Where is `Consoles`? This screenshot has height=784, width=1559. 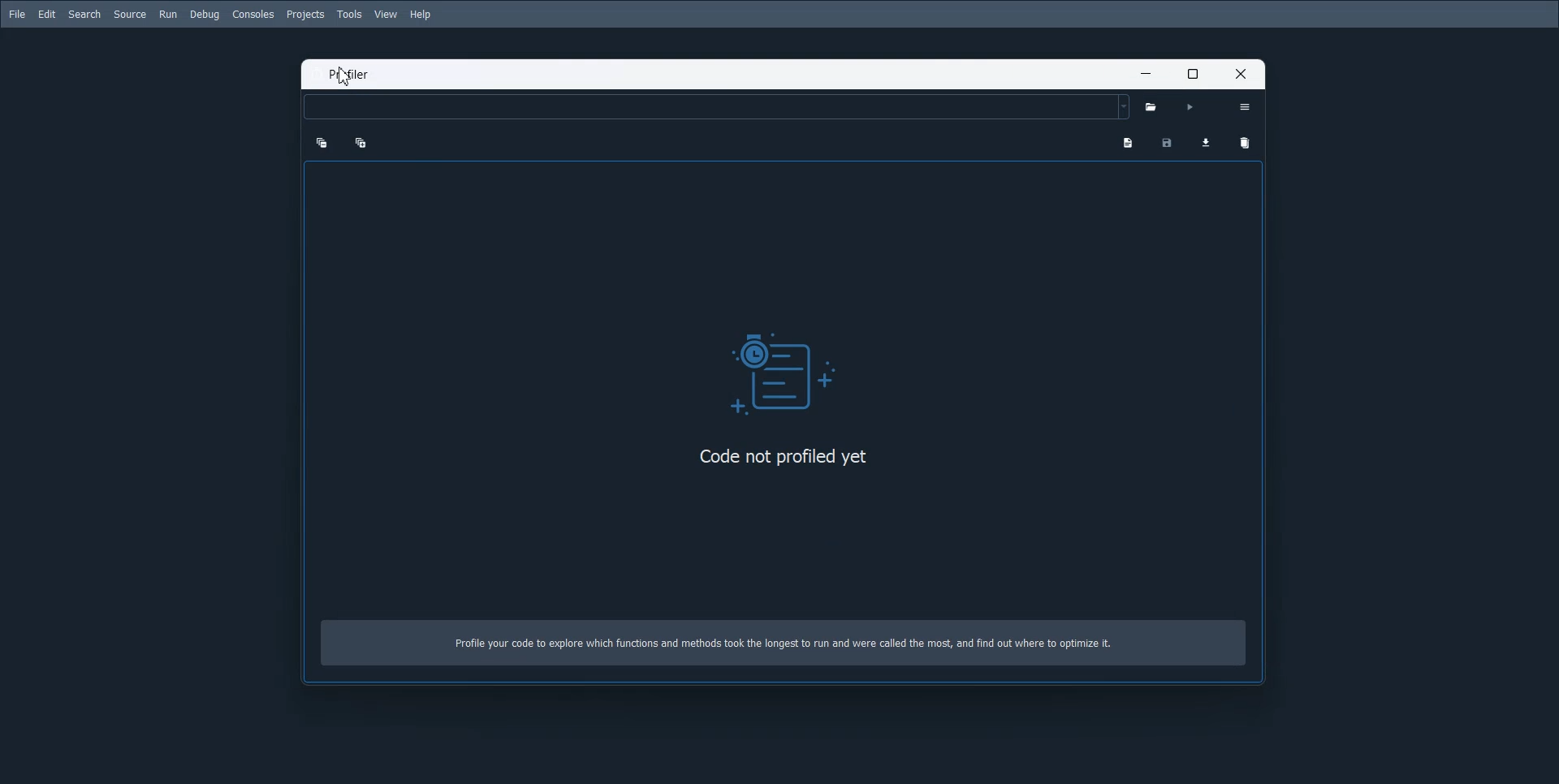
Consoles is located at coordinates (253, 15).